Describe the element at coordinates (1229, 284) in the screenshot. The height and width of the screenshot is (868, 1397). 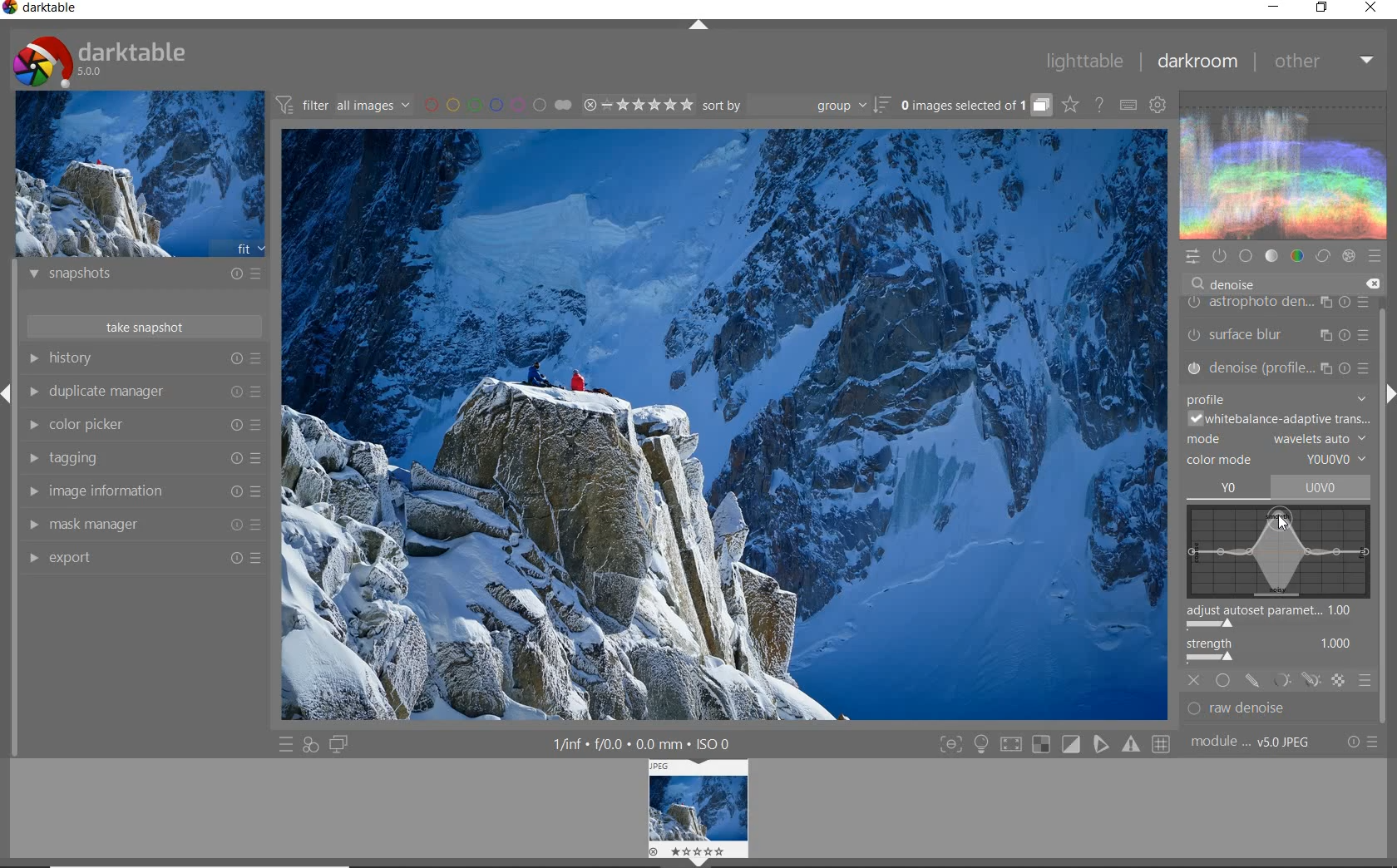
I see `DENOISE` at that location.